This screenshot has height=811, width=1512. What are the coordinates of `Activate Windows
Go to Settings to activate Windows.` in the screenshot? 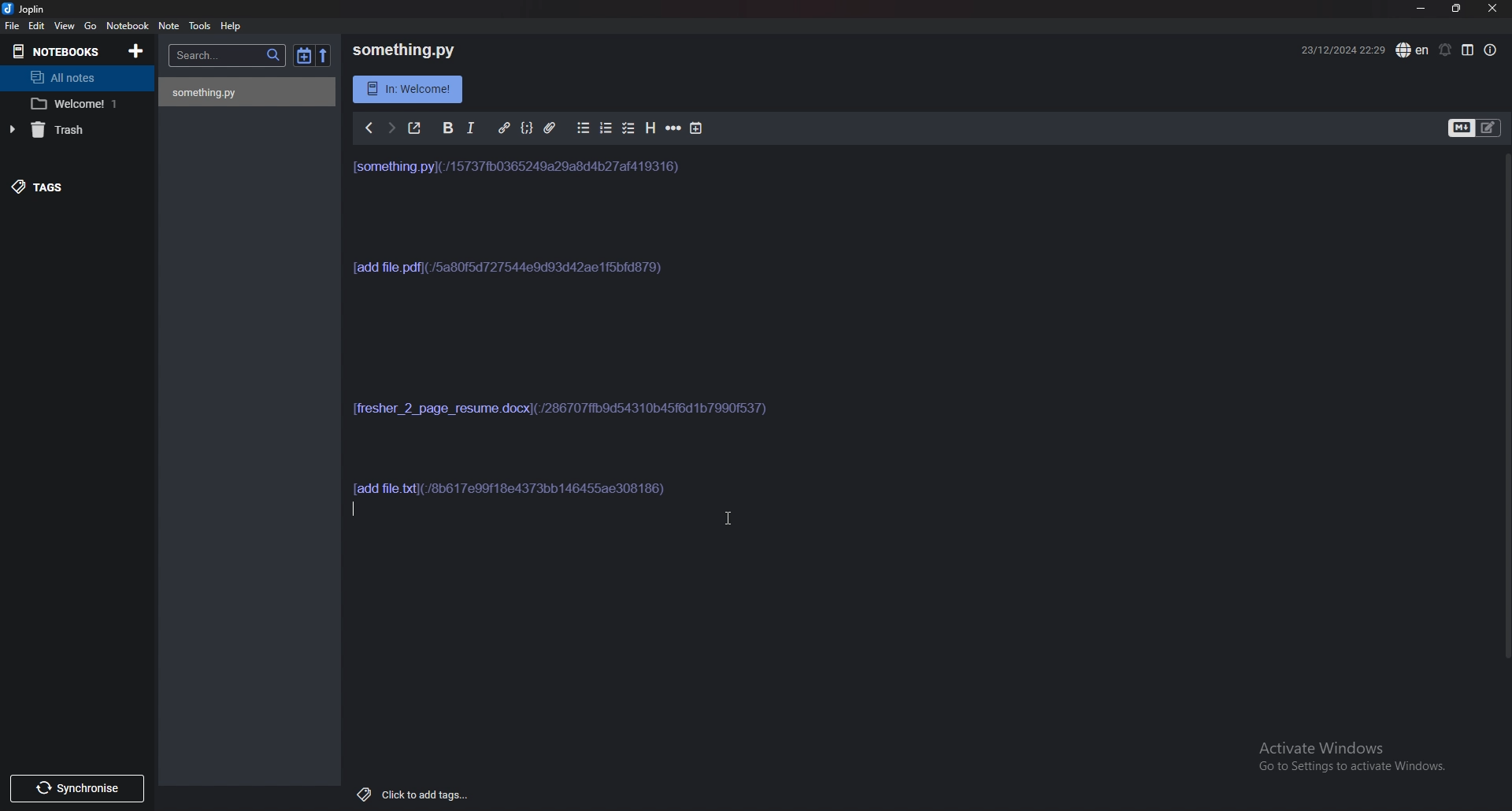 It's located at (1344, 762).